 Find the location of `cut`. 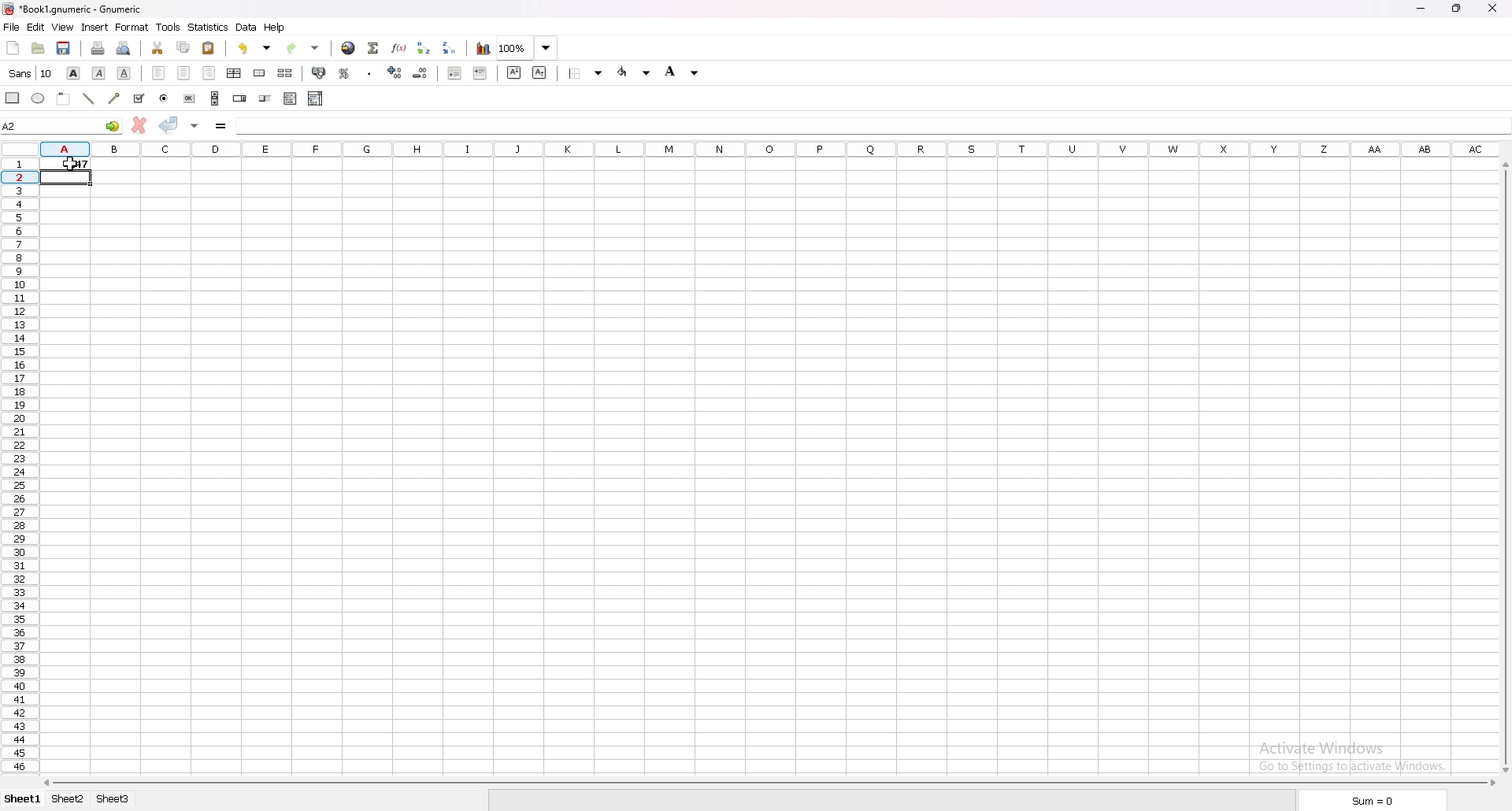

cut is located at coordinates (159, 48).